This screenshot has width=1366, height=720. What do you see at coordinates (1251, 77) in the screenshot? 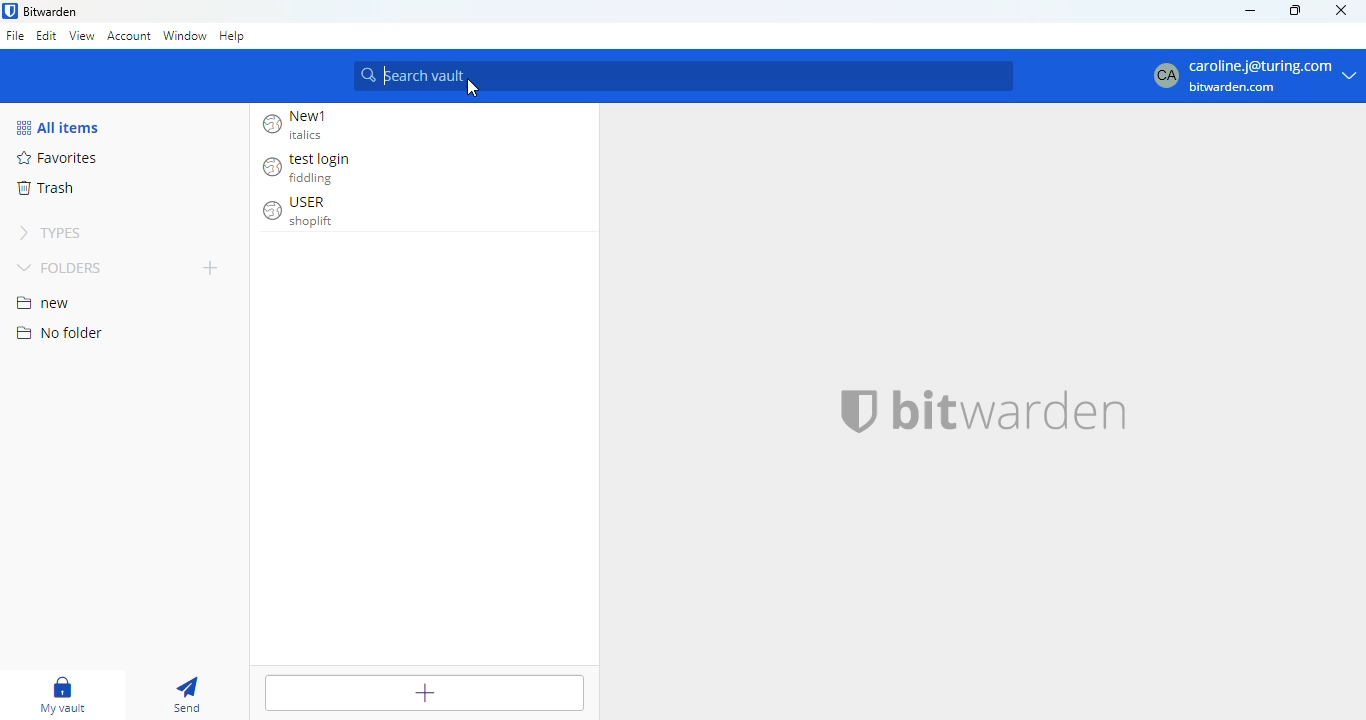
I see `caroline.j@turing.com   bitwarden.com` at bounding box center [1251, 77].